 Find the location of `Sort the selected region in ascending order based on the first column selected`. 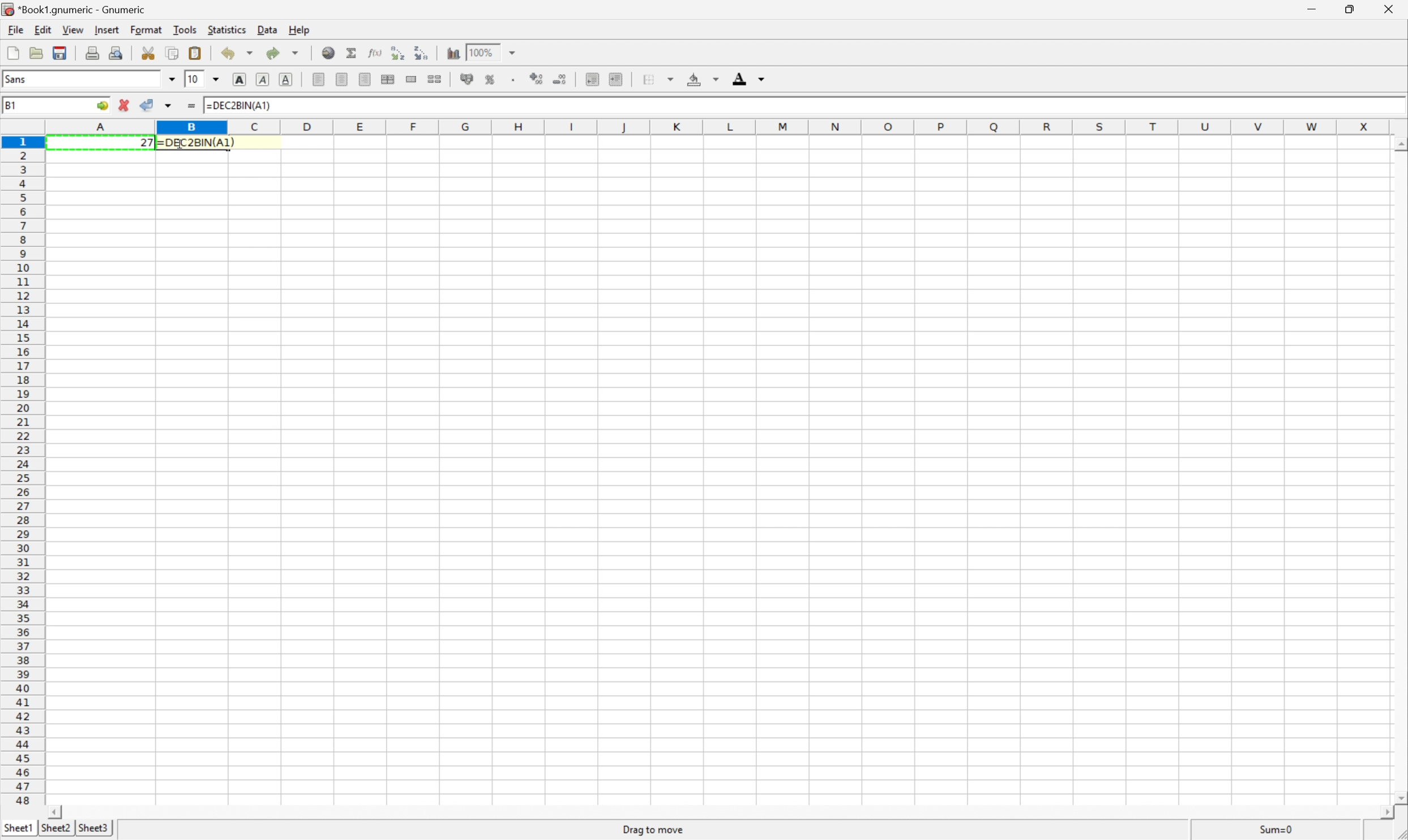

Sort the selected region in ascending order based on the first column selected is located at coordinates (398, 52).